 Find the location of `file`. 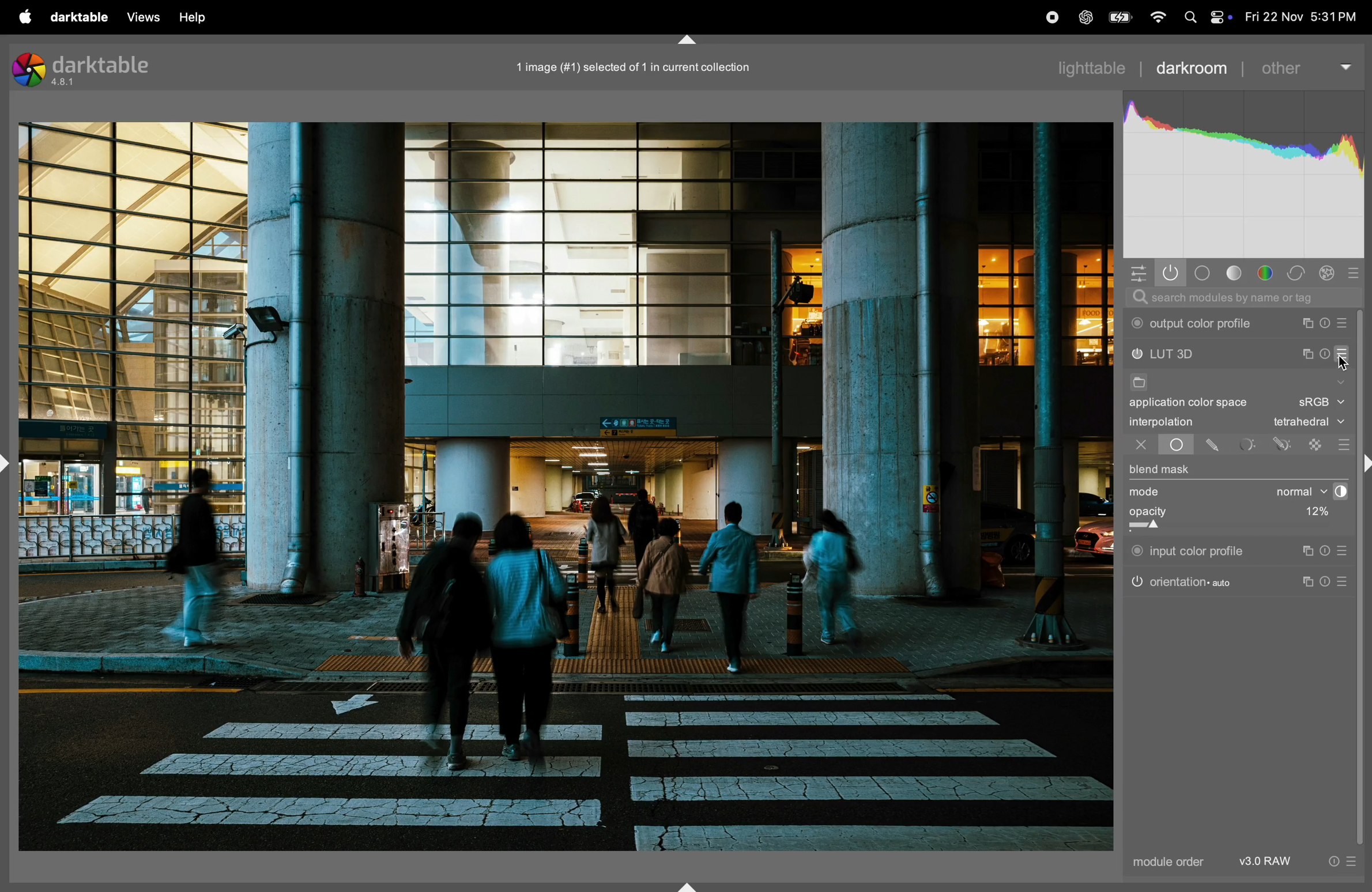

file is located at coordinates (1137, 384).